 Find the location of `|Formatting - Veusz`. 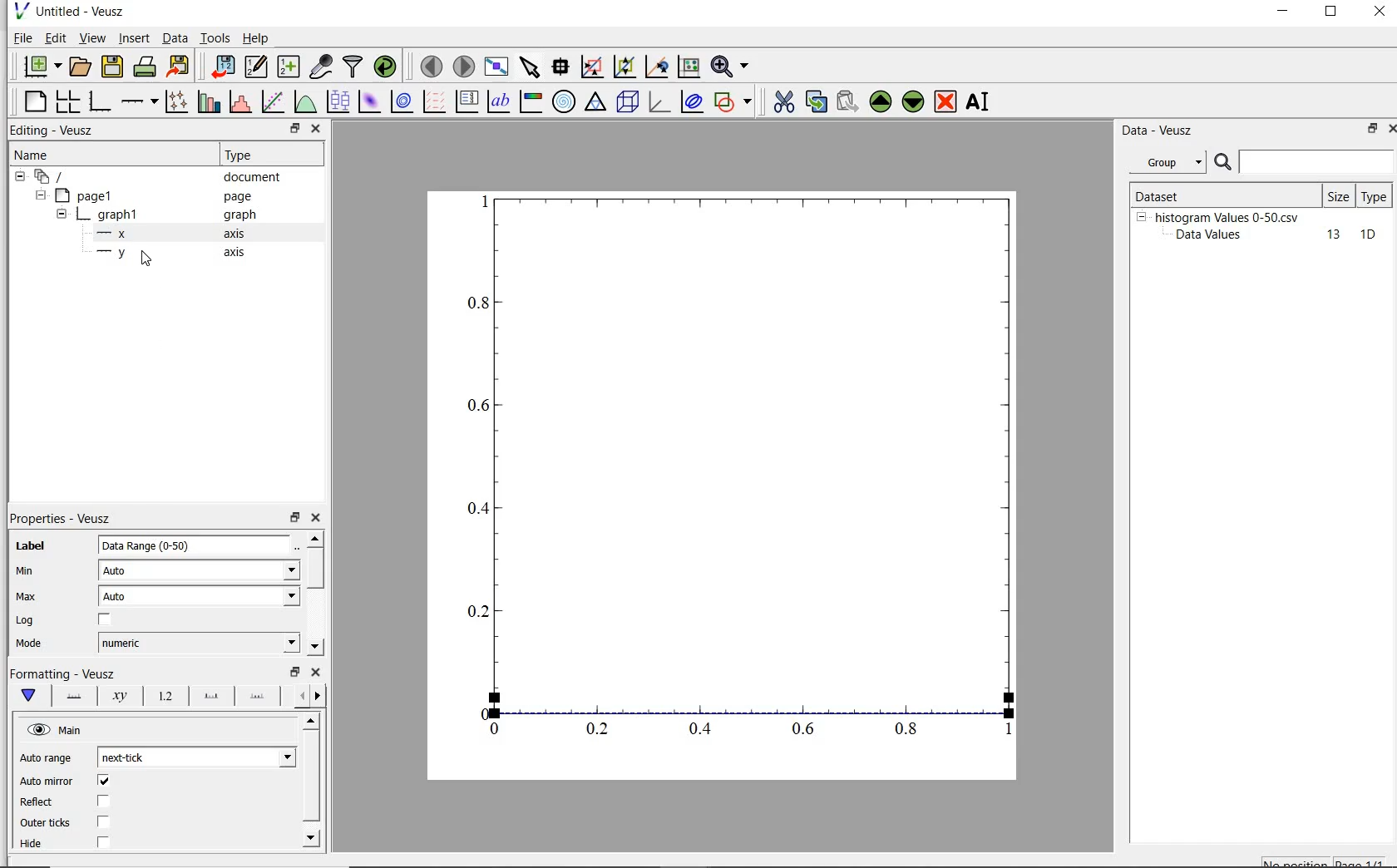

|Formatting - Veusz is located at coordinates (60, 672).